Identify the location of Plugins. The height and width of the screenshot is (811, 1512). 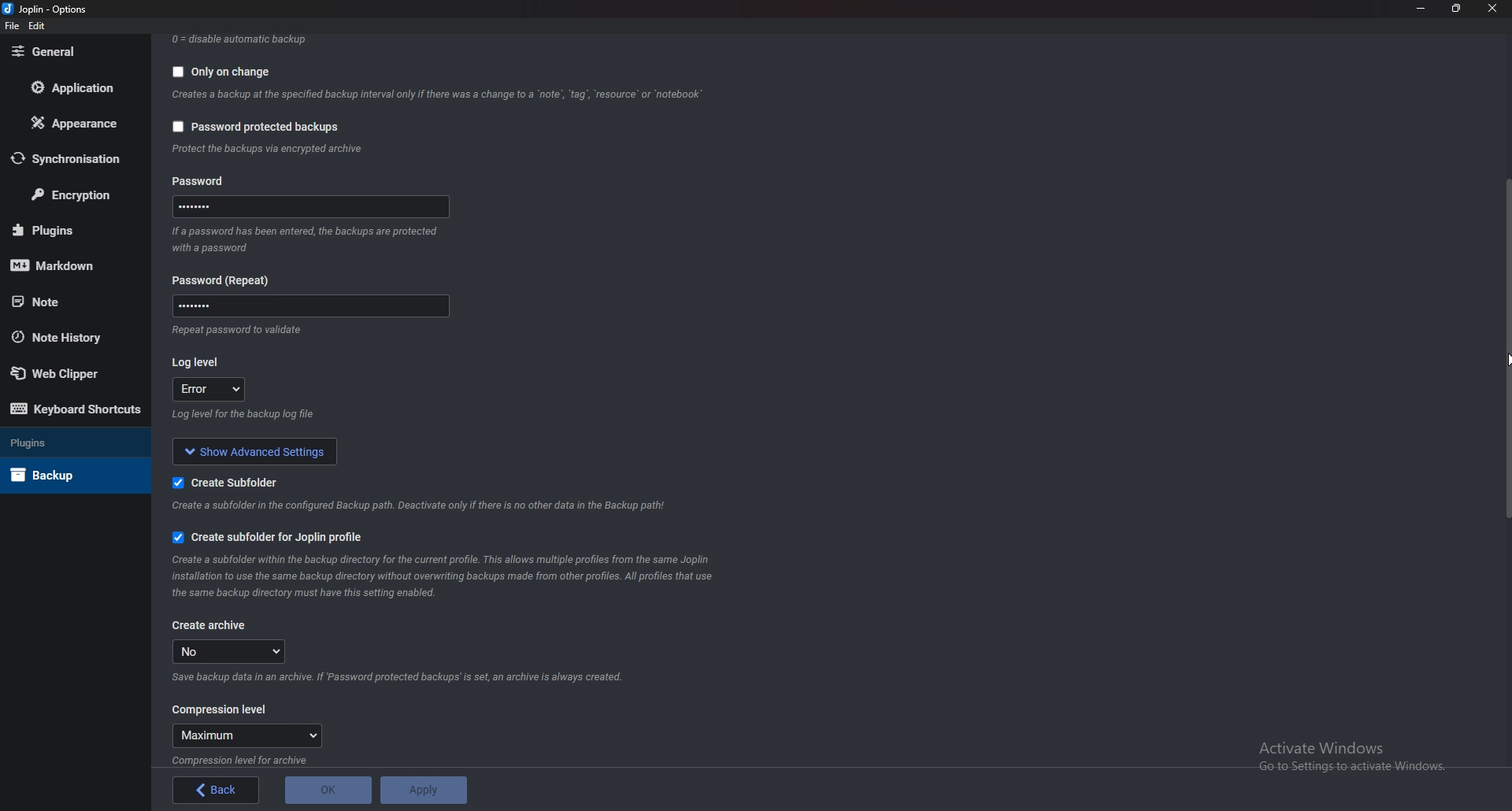
(71, 229).